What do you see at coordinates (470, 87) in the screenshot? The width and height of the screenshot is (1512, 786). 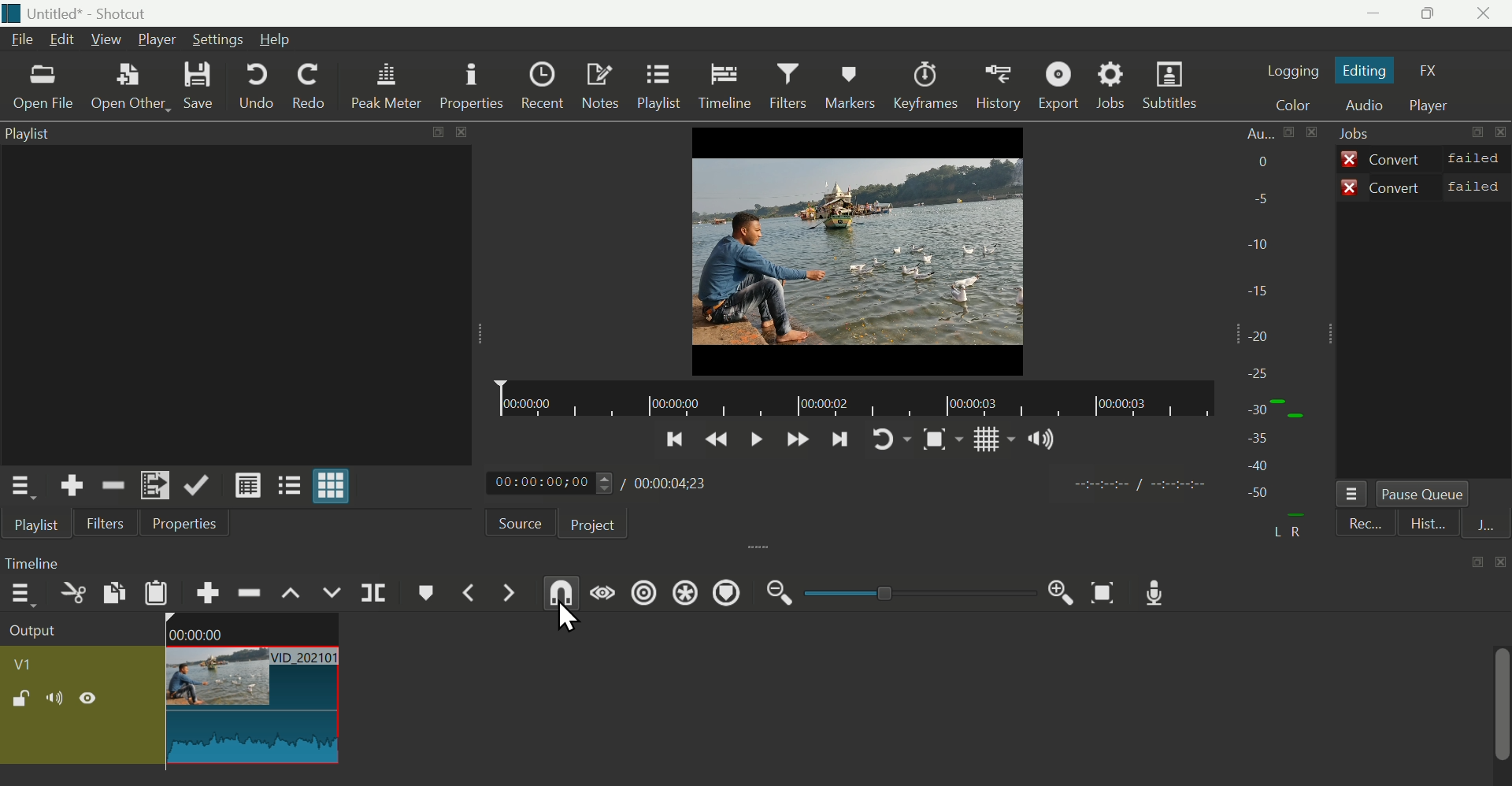 I see `Properties` at bounding box center [470, 87].